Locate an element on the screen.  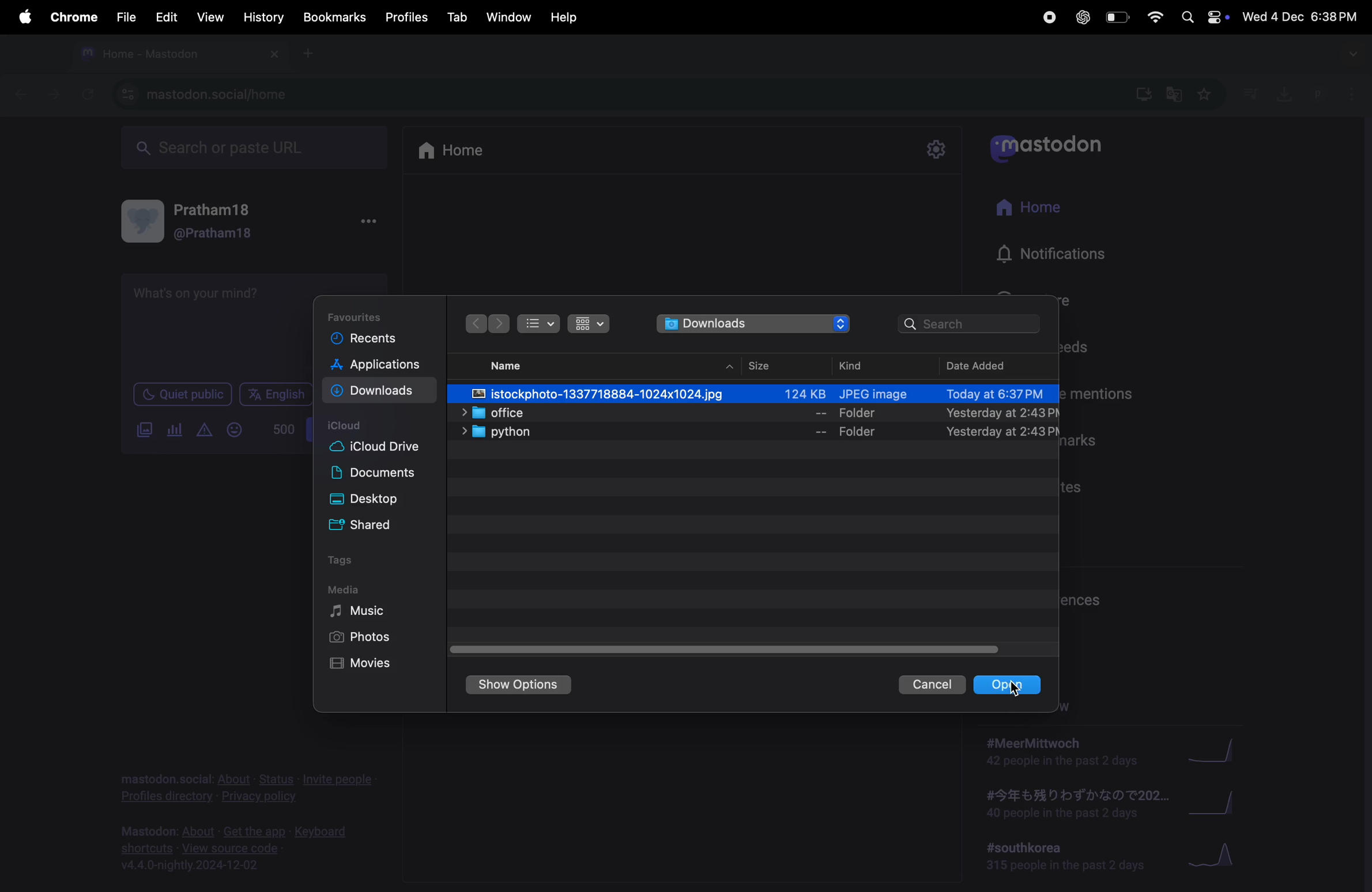
userprofile is located at coordinates (1337, 95).